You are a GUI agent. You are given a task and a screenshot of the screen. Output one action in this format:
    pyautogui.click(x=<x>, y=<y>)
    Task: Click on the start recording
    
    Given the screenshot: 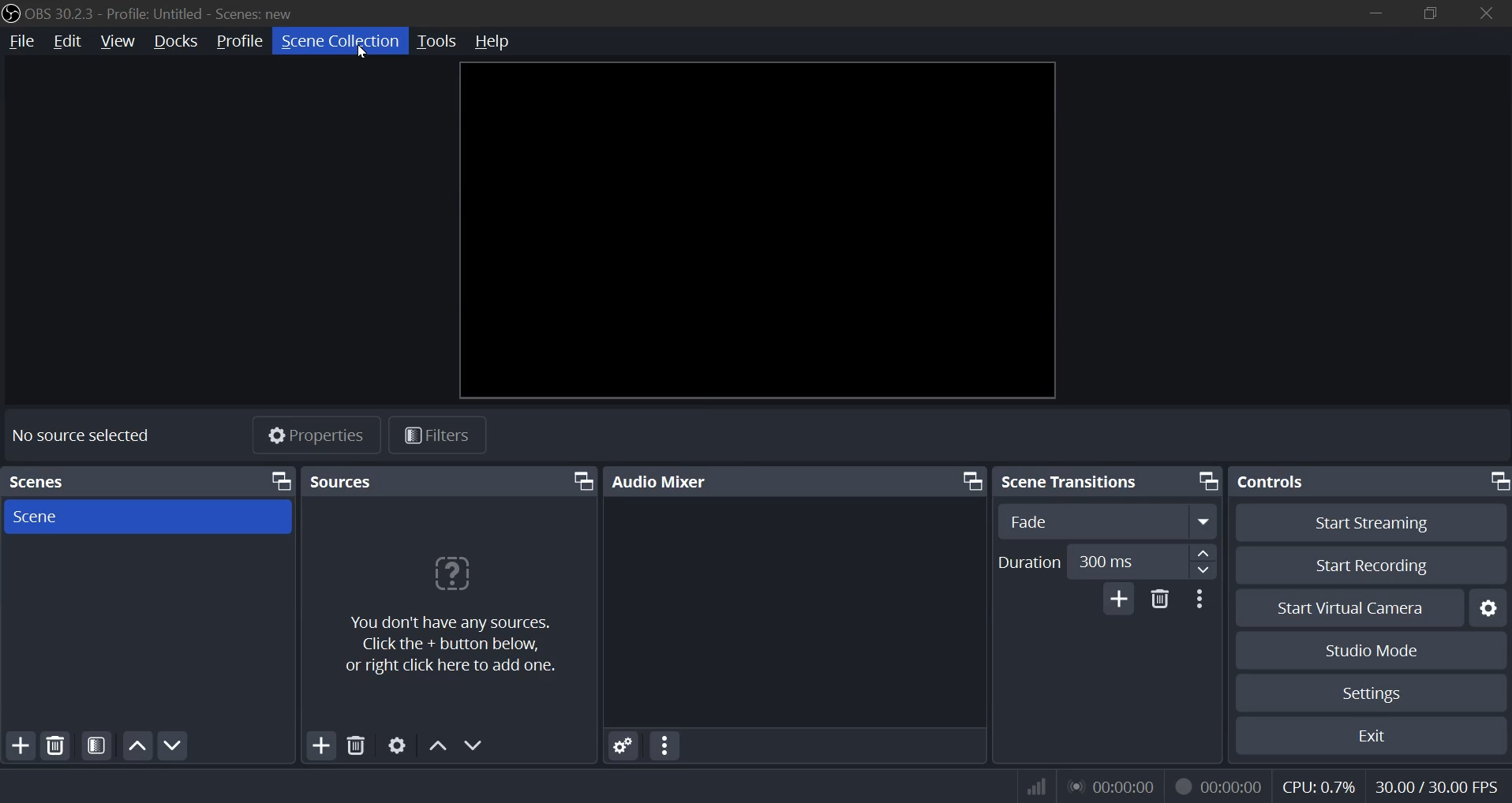 What is the action you would take?
    pyautogui.click(x=1373, y=565)
    